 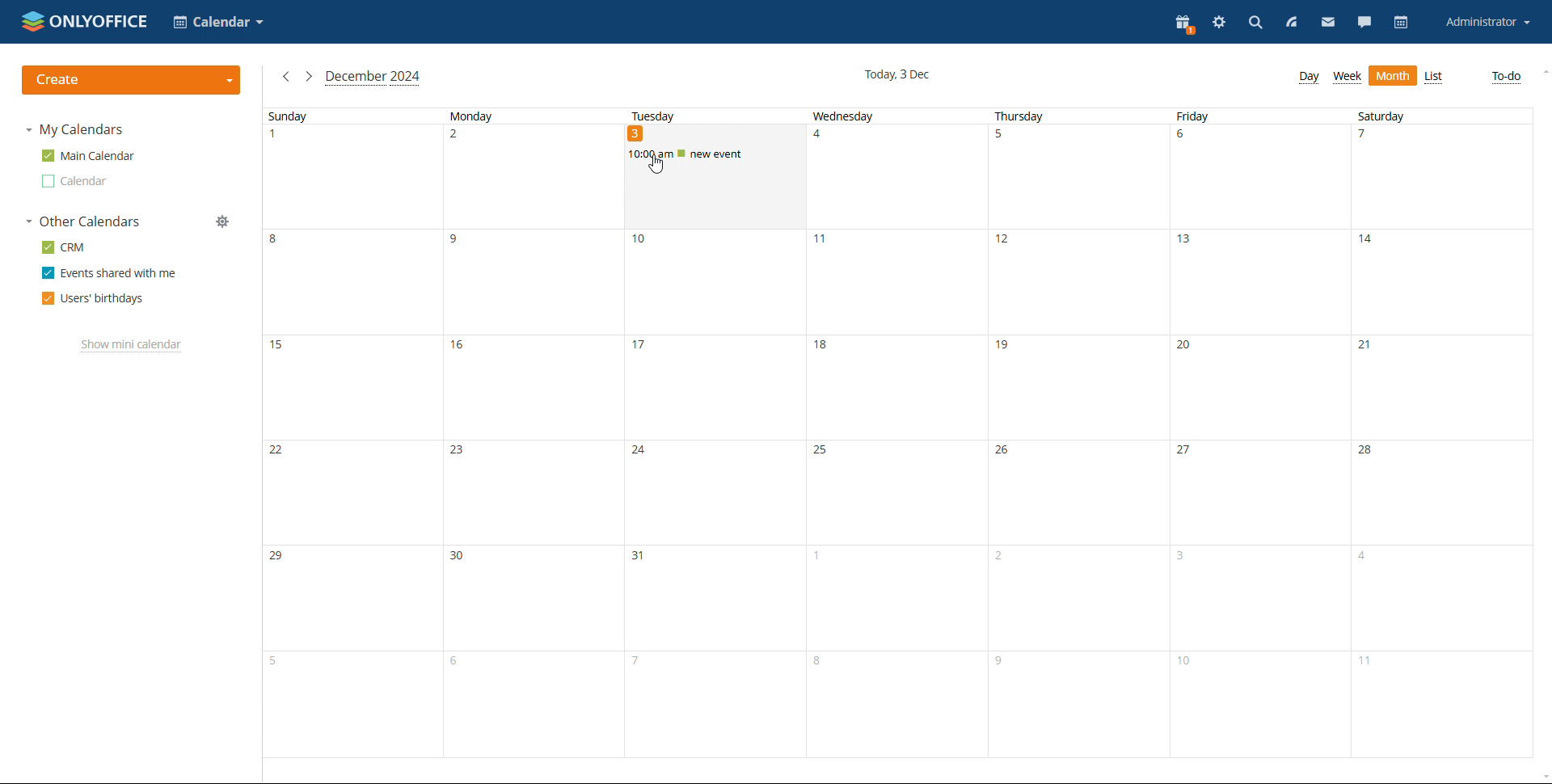 I want to click on 20, so click(x=1261, y=387).